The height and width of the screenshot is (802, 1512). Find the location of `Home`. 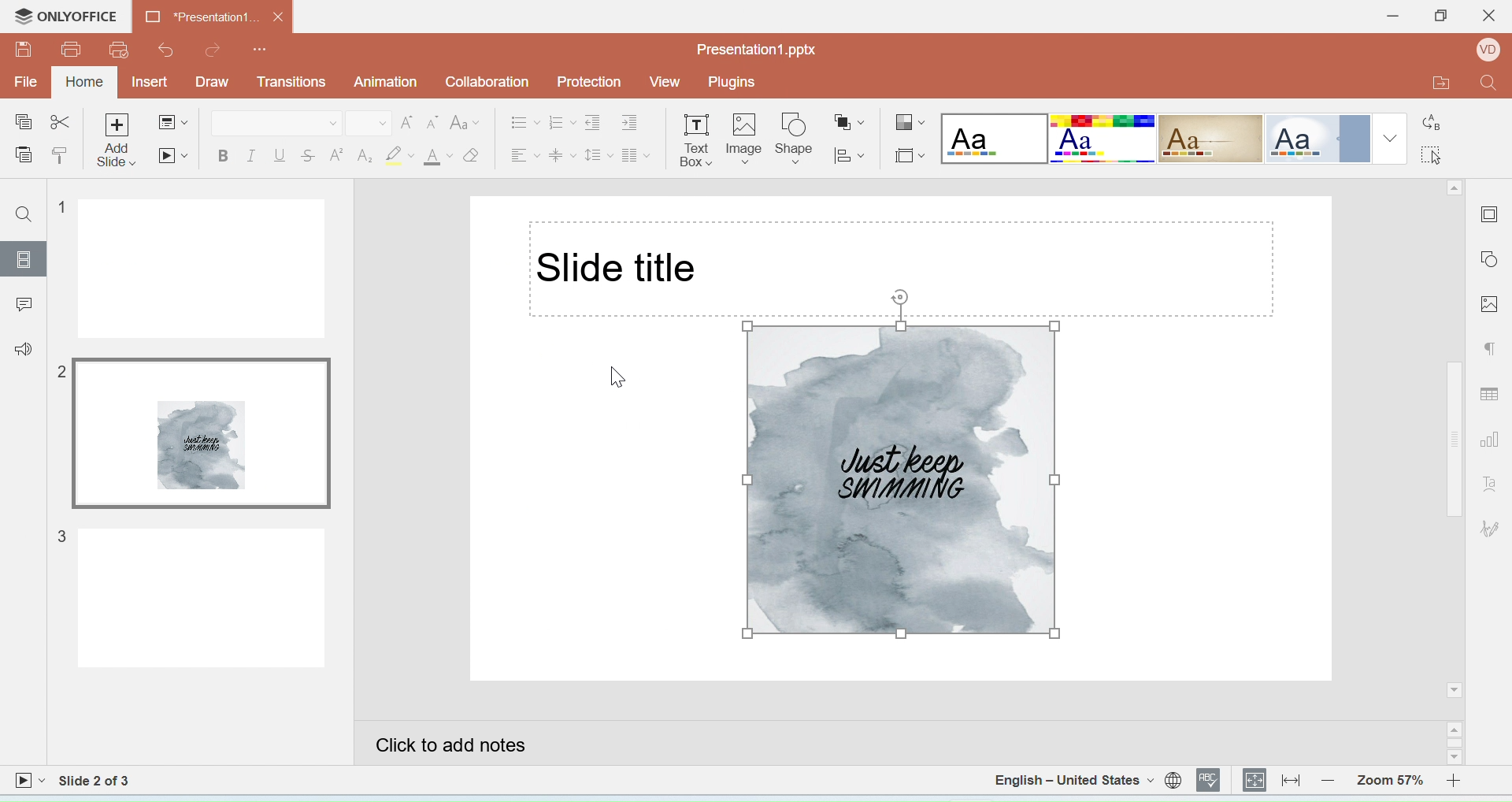

Home is located at coordinates (86, 81).